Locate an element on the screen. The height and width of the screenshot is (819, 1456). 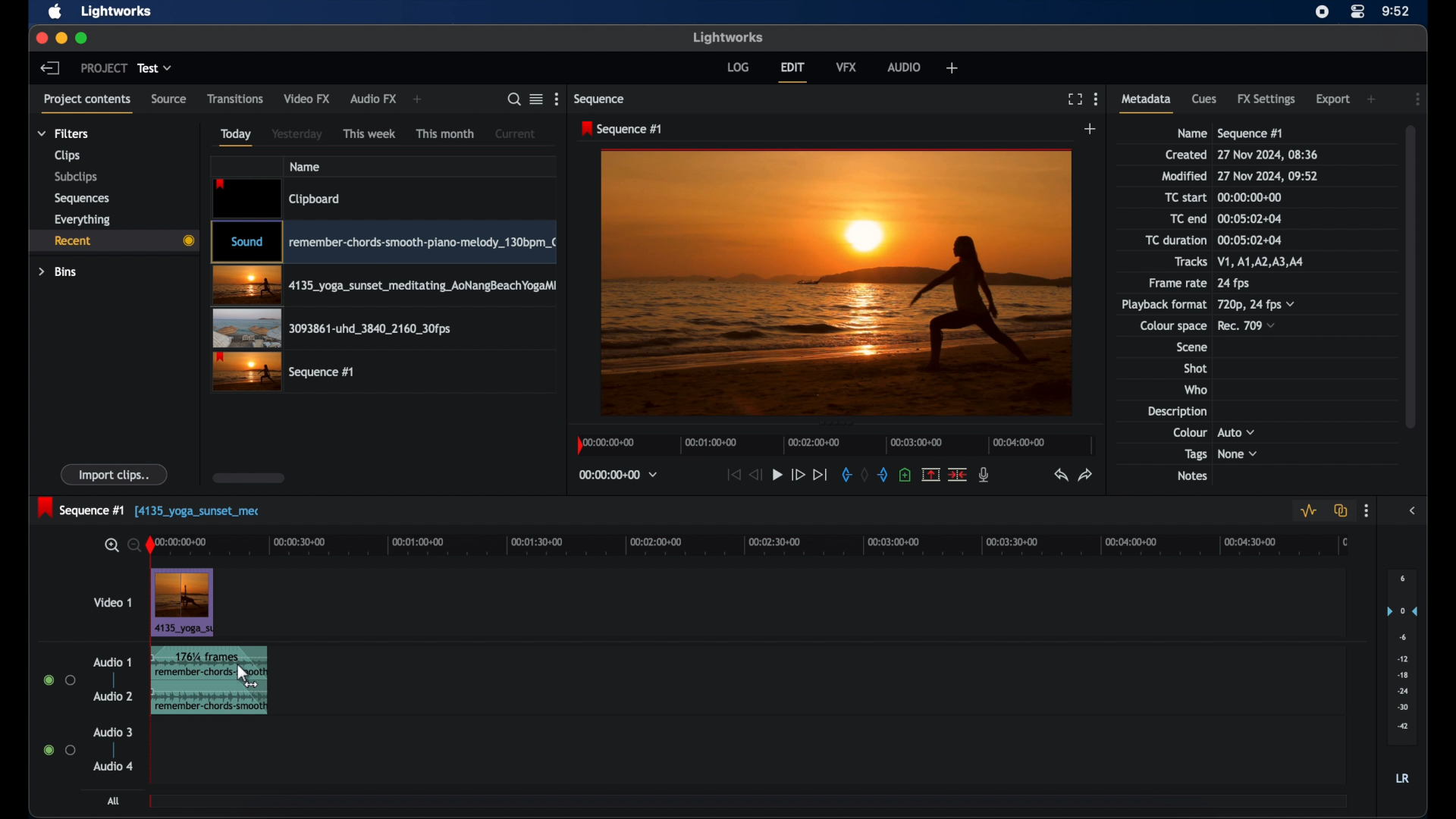
colour is located at coordinates (1189, 431).